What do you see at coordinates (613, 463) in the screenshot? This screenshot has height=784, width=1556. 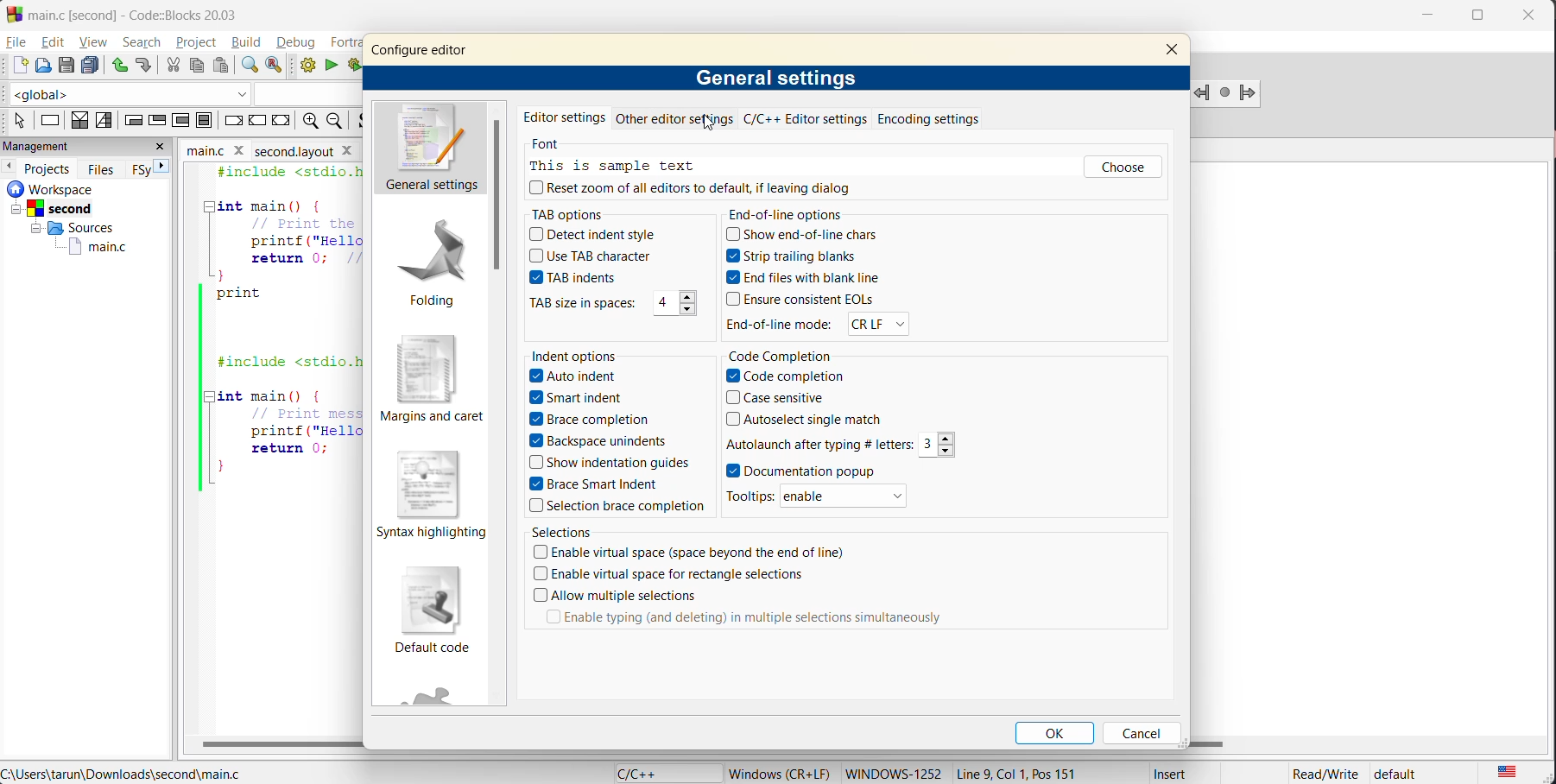 I see `Show indentation guides` at bounding box center [613, 463].